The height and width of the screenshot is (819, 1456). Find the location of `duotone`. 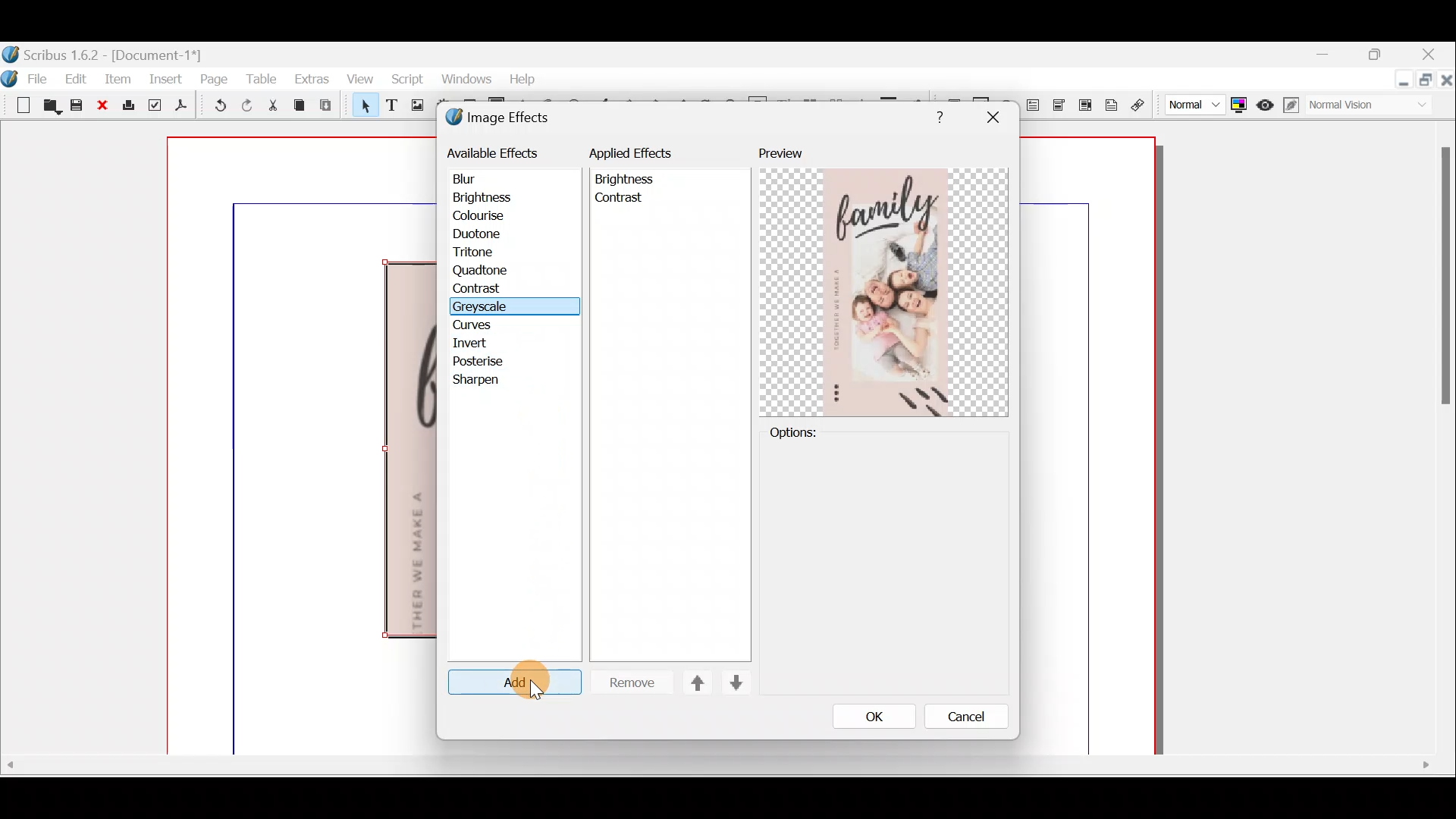

duotone is located at coordinates (498, 234).